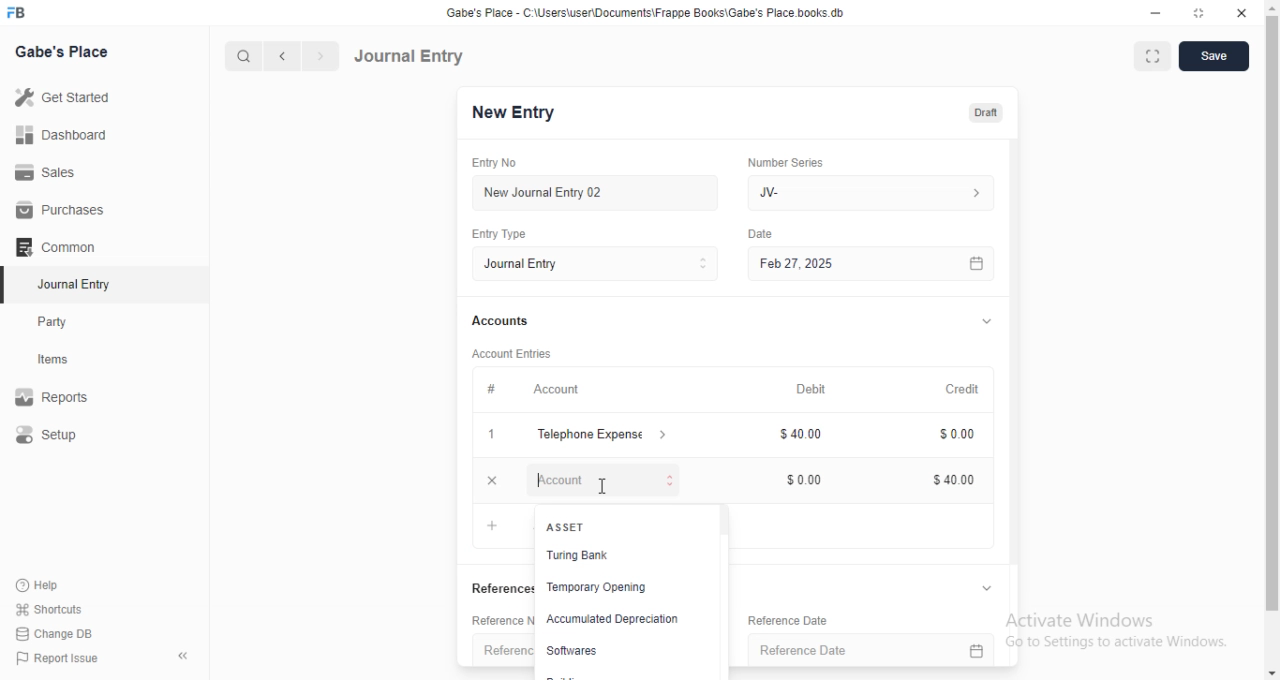 This screenshot has height=680, width=1280. Describe the element at coordinates (53, 394) in the screenshot. I see `Reports` at that location.